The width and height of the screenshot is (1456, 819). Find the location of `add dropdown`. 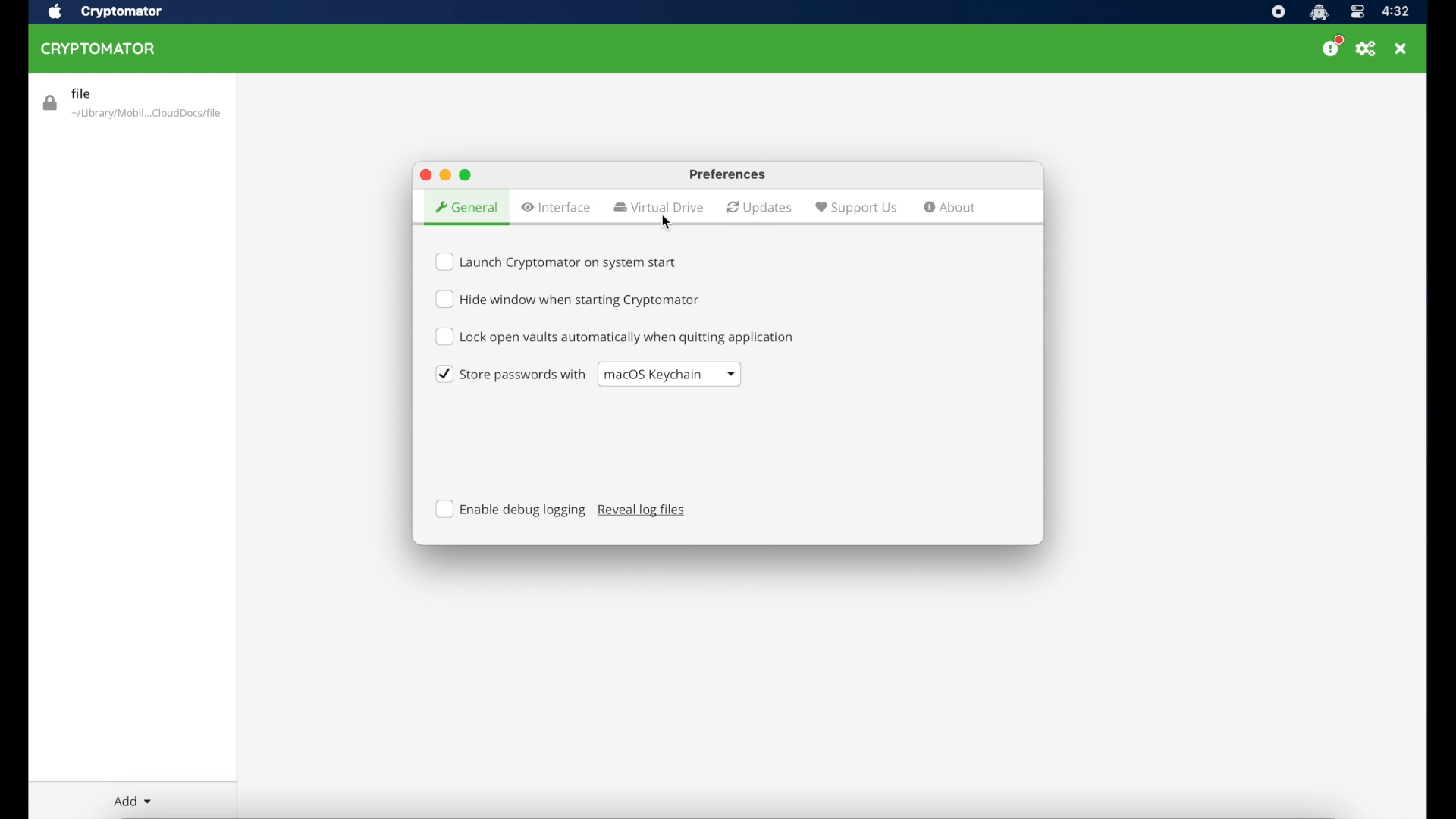

add dropdown is located at coordinates (132, 801).